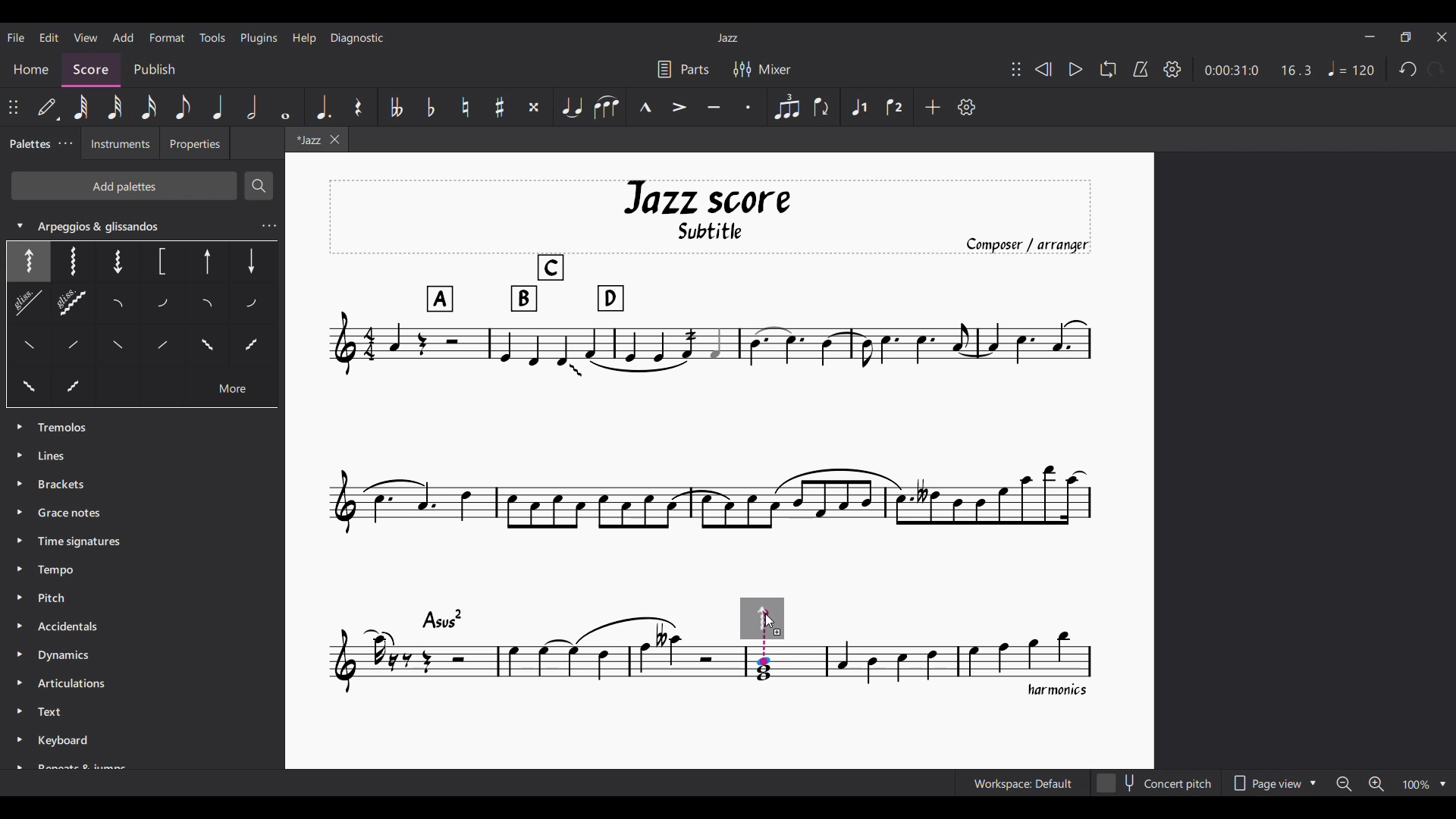  I want to click on Keyboard, so click(81, 751).